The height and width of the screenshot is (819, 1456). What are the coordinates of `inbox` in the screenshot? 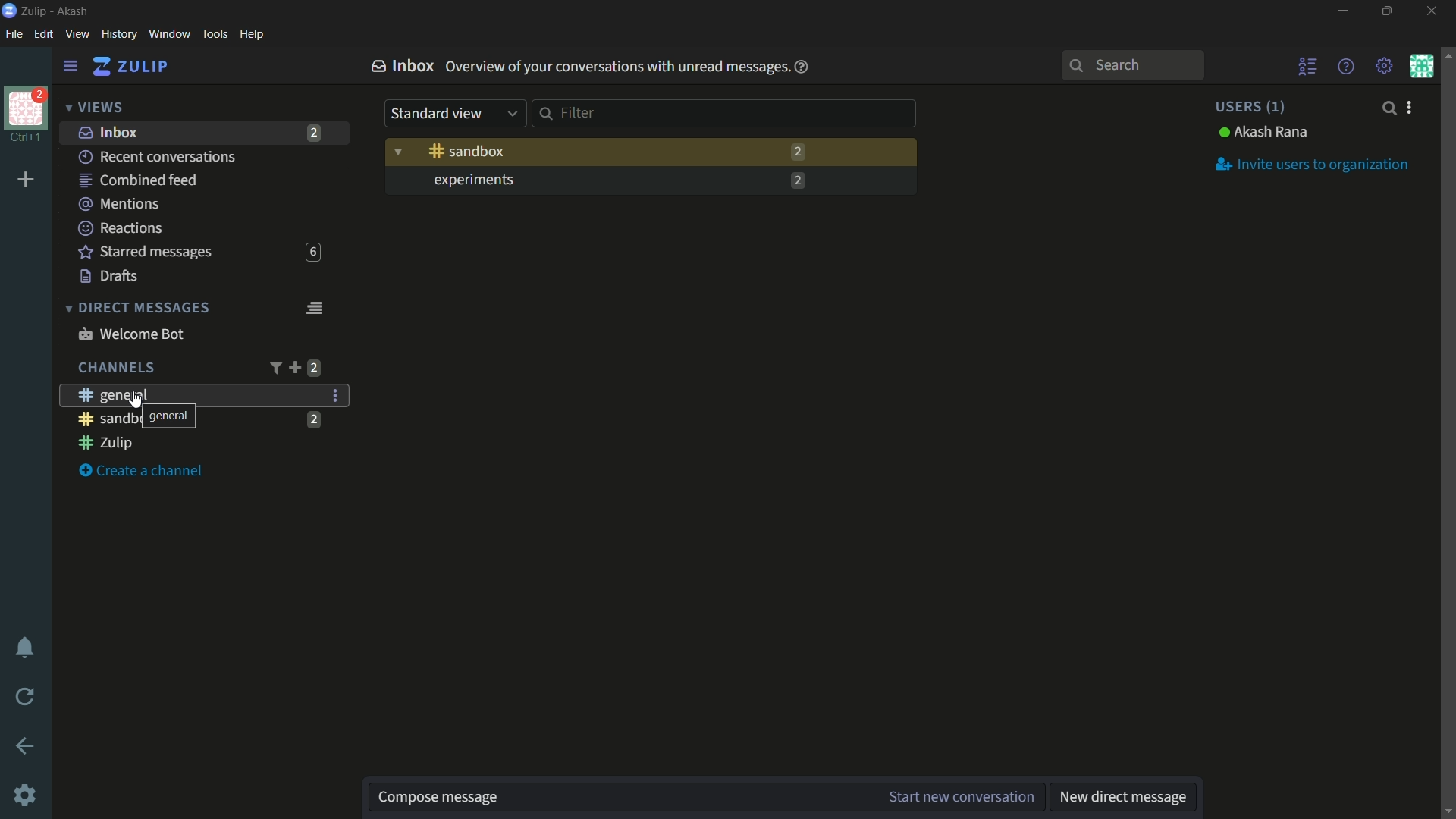 It's located at (108, 132).